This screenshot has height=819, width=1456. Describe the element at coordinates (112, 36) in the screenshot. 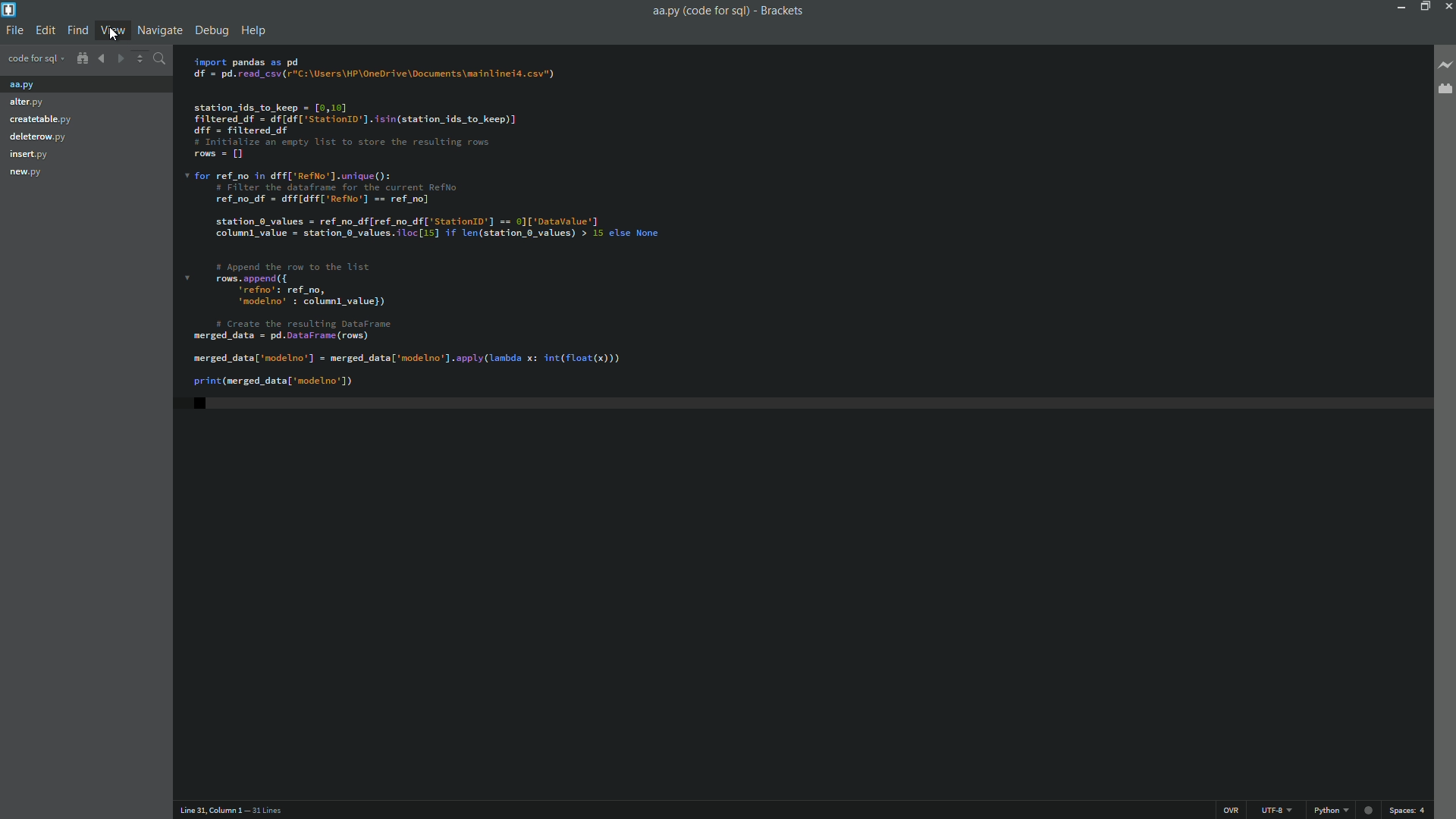

I see `Cursor` at that location.